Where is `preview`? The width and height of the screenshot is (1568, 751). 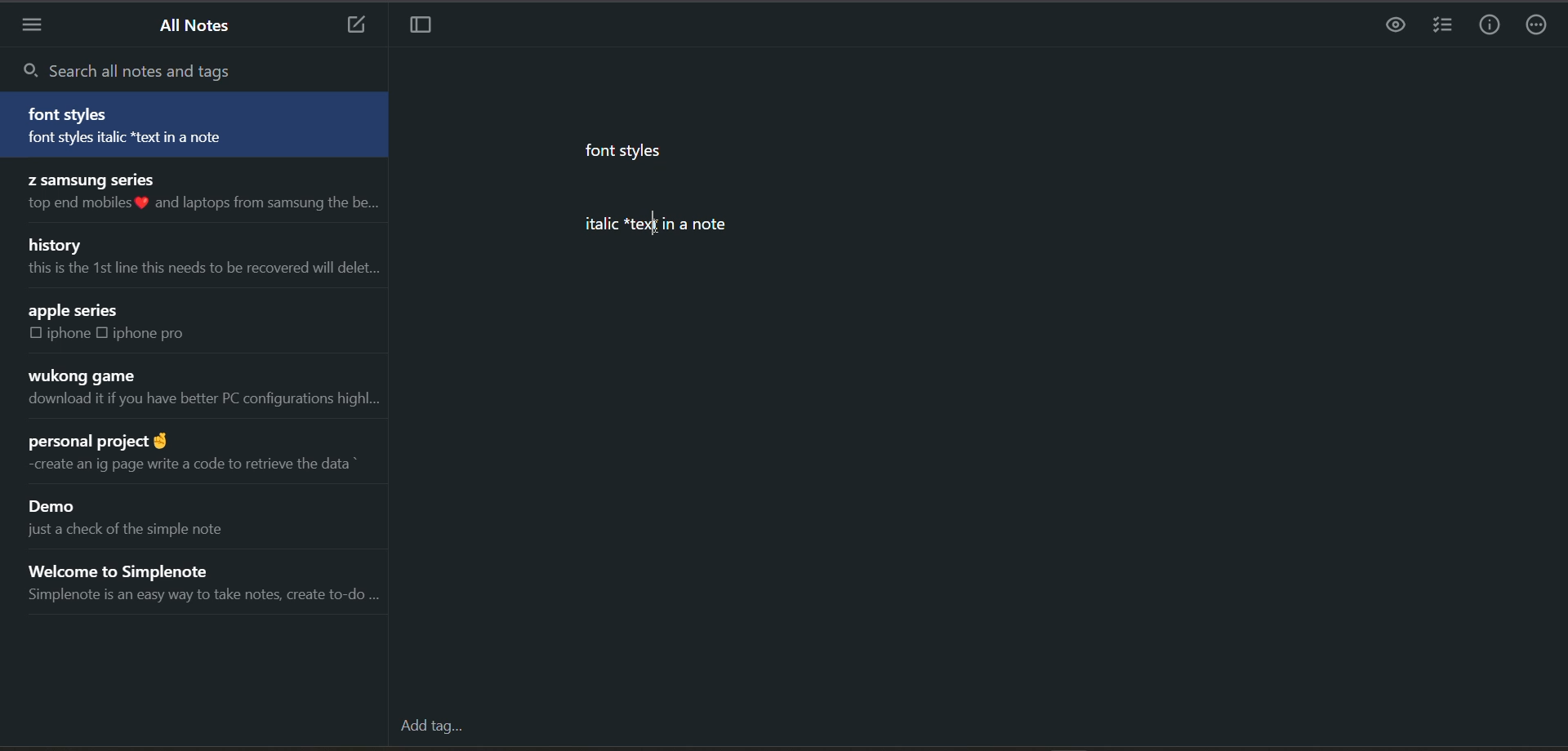 preview is located at coordinates (1397, 24).